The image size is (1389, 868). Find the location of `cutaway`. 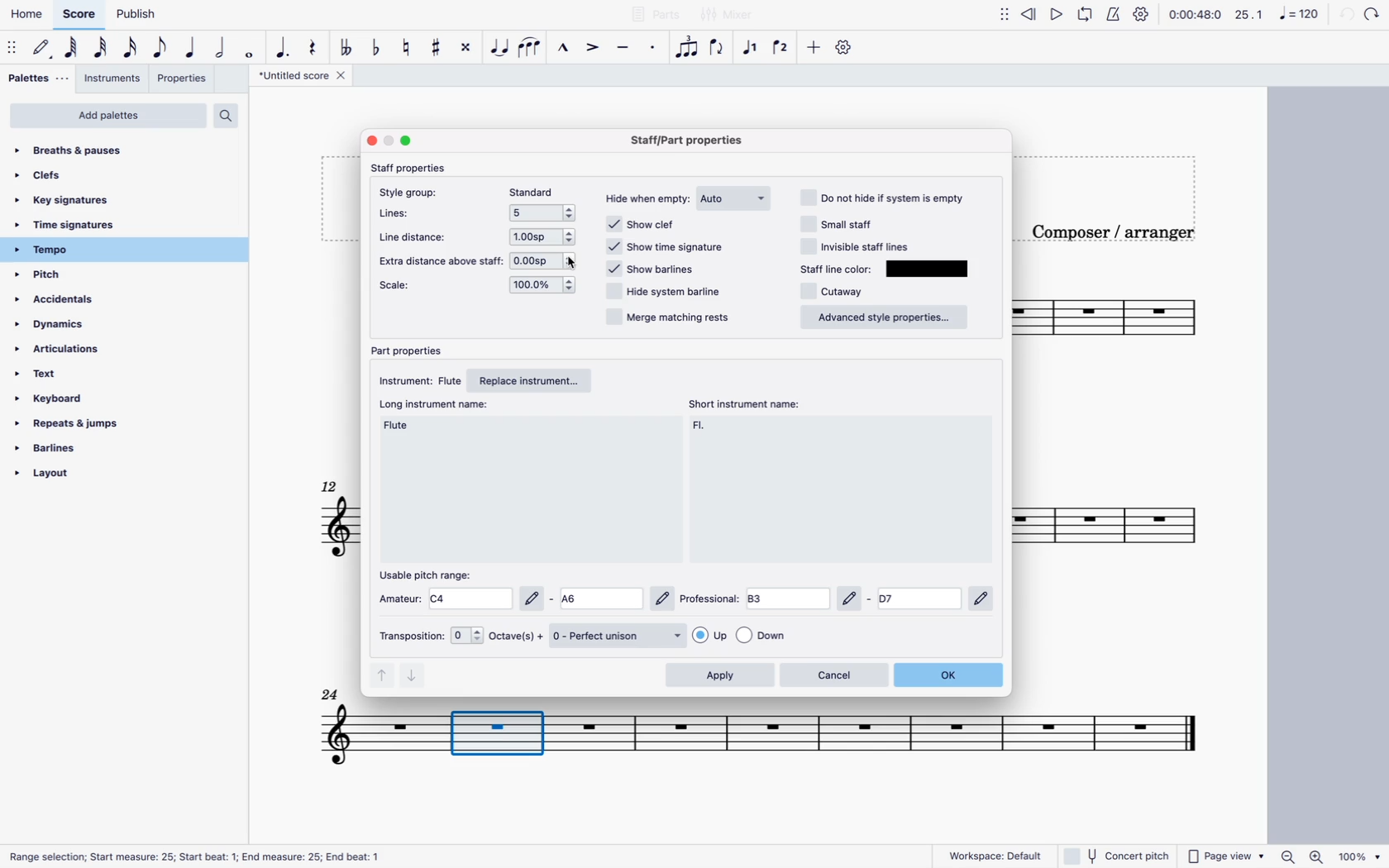

cutaway is located at coordinates (839, 292).